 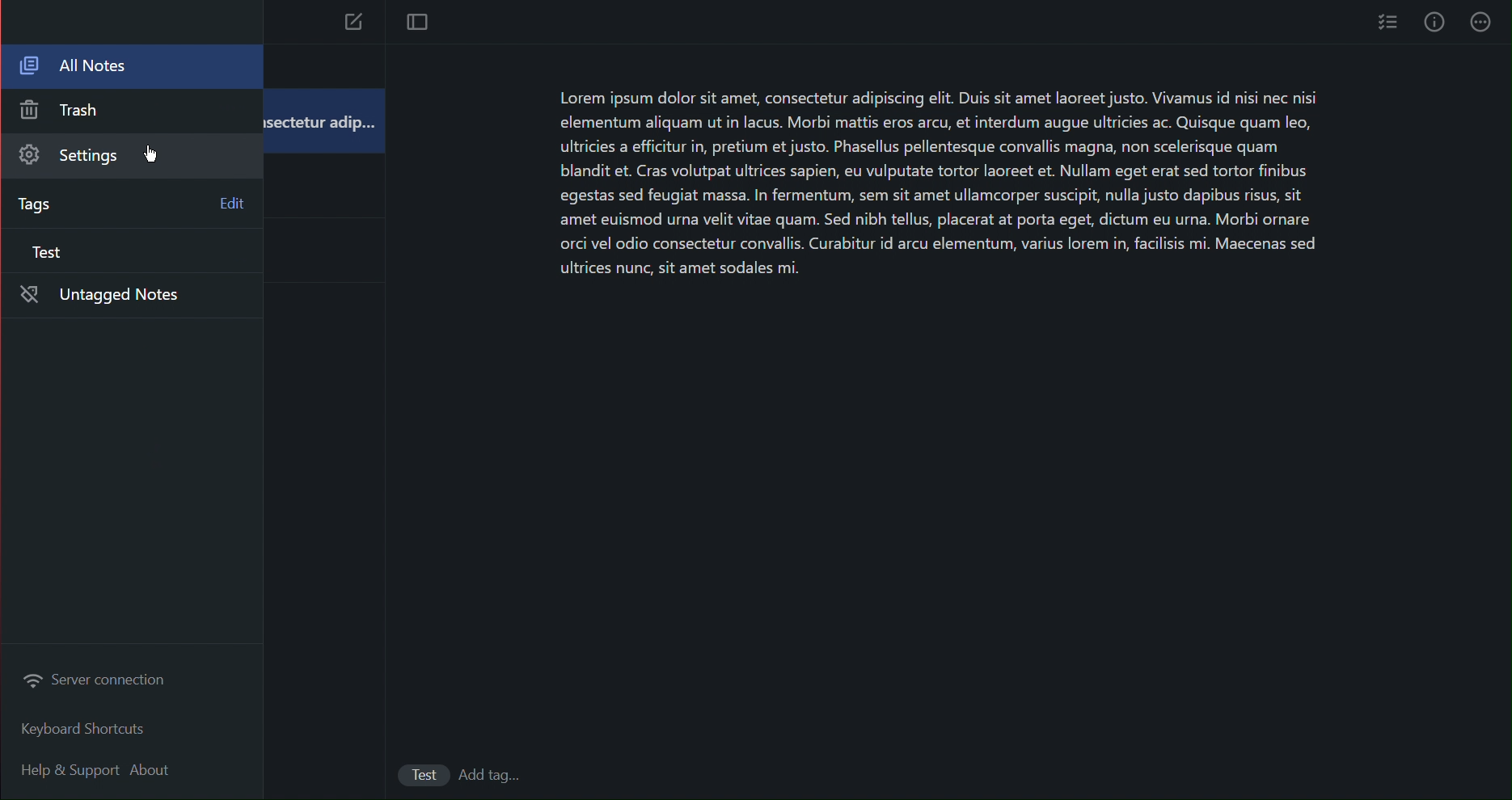 I want to click on Checklist, so click(x=1386, y=23).